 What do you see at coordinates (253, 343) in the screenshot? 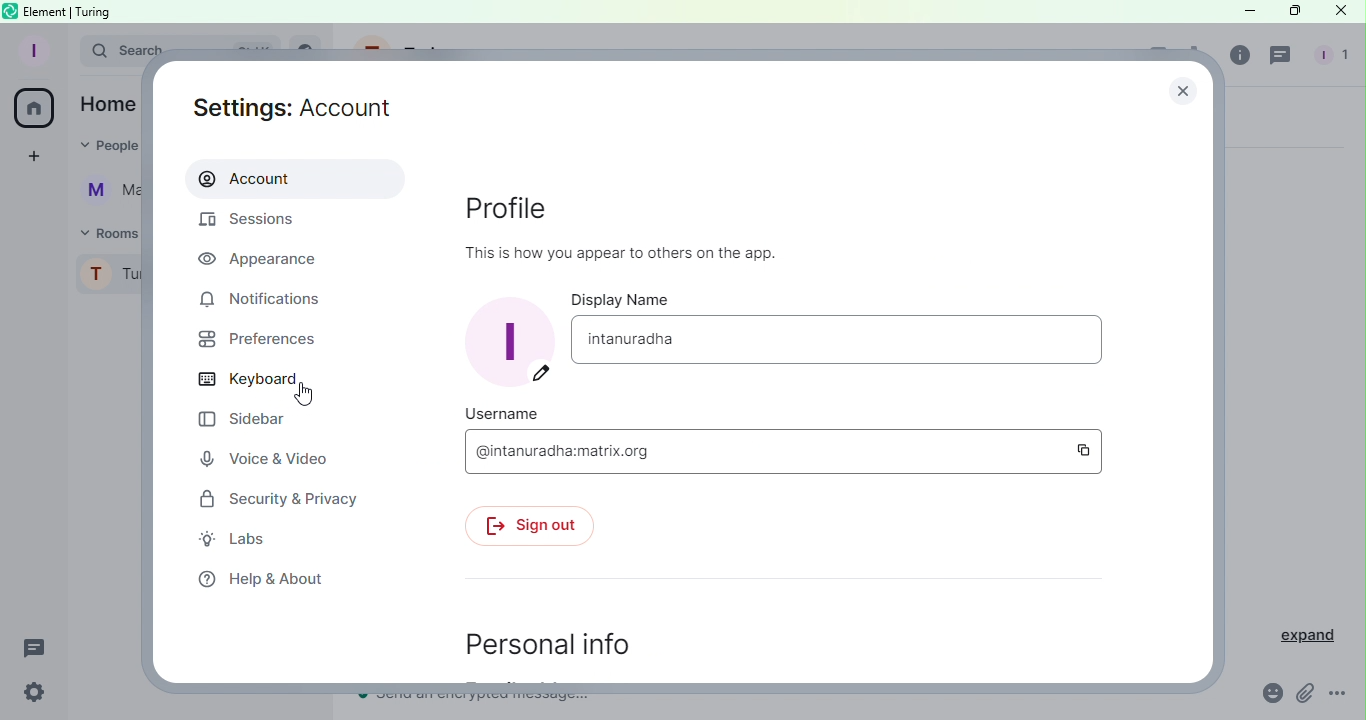
I see `Preferences` at bounding box center [253, 343].